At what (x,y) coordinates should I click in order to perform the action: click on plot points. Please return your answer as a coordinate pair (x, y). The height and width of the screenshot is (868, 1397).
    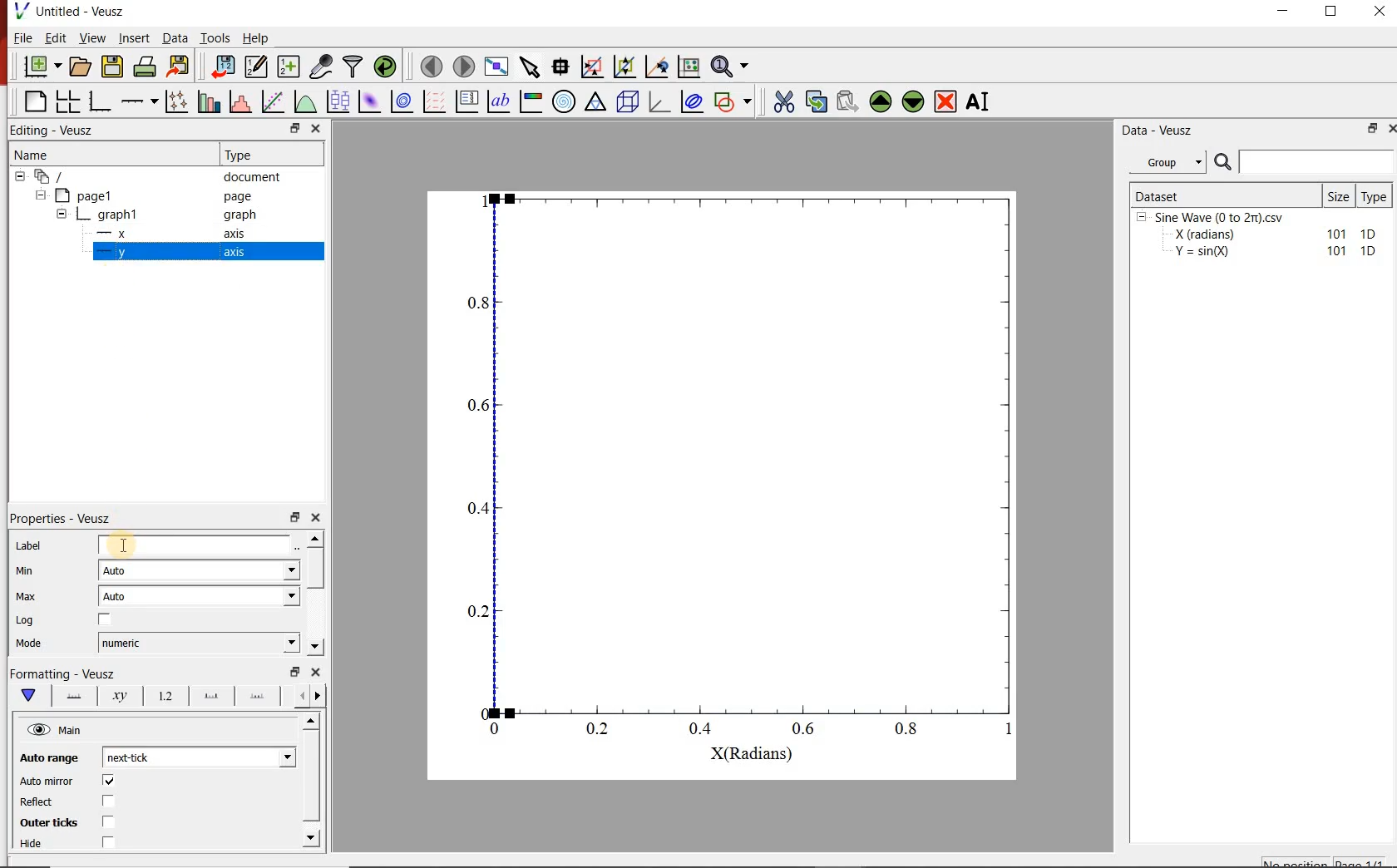
    Looking at the image, I should click on (179, 101).